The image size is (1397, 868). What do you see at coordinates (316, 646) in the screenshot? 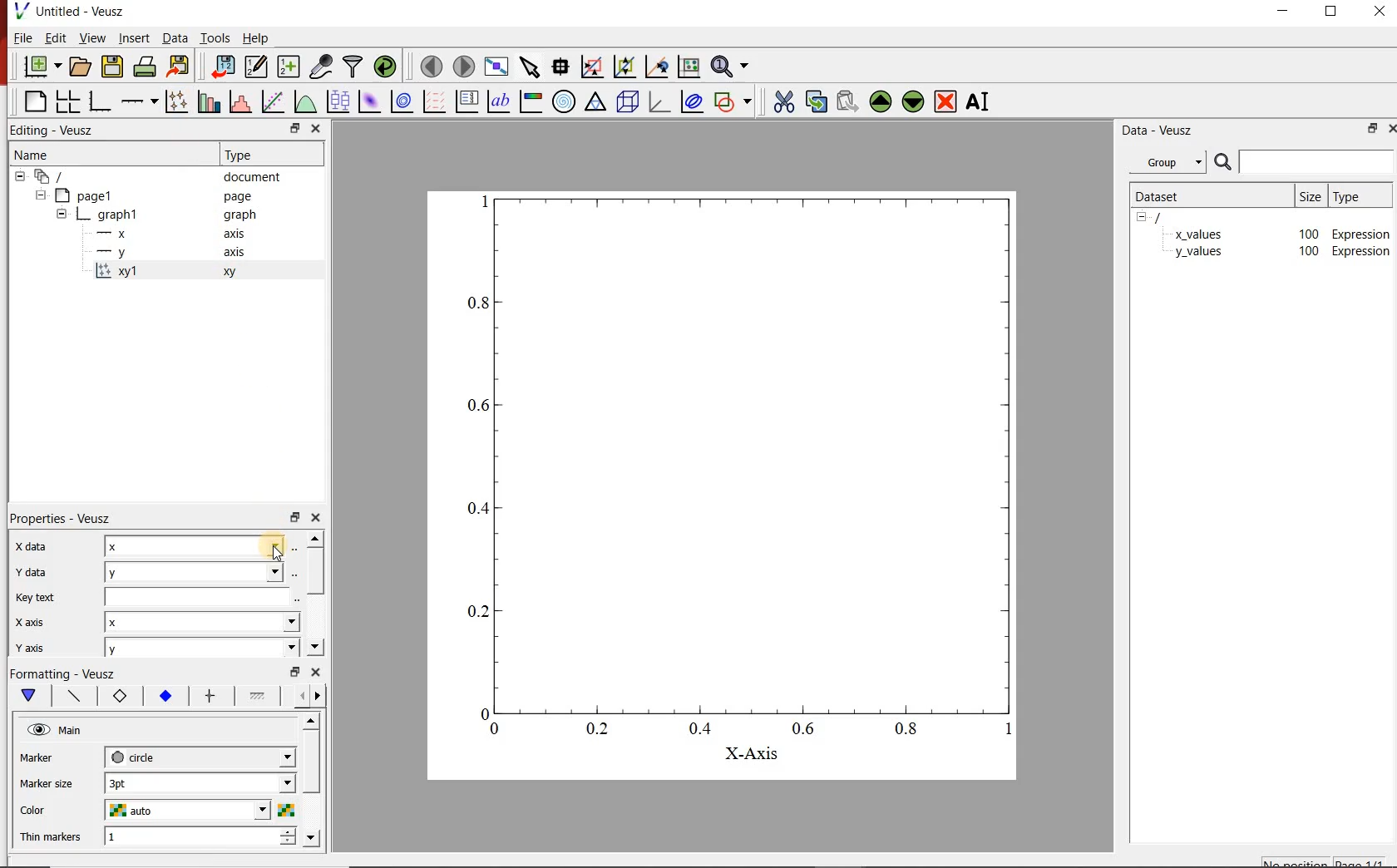
I see `move down` at bounding box center [316, 646].